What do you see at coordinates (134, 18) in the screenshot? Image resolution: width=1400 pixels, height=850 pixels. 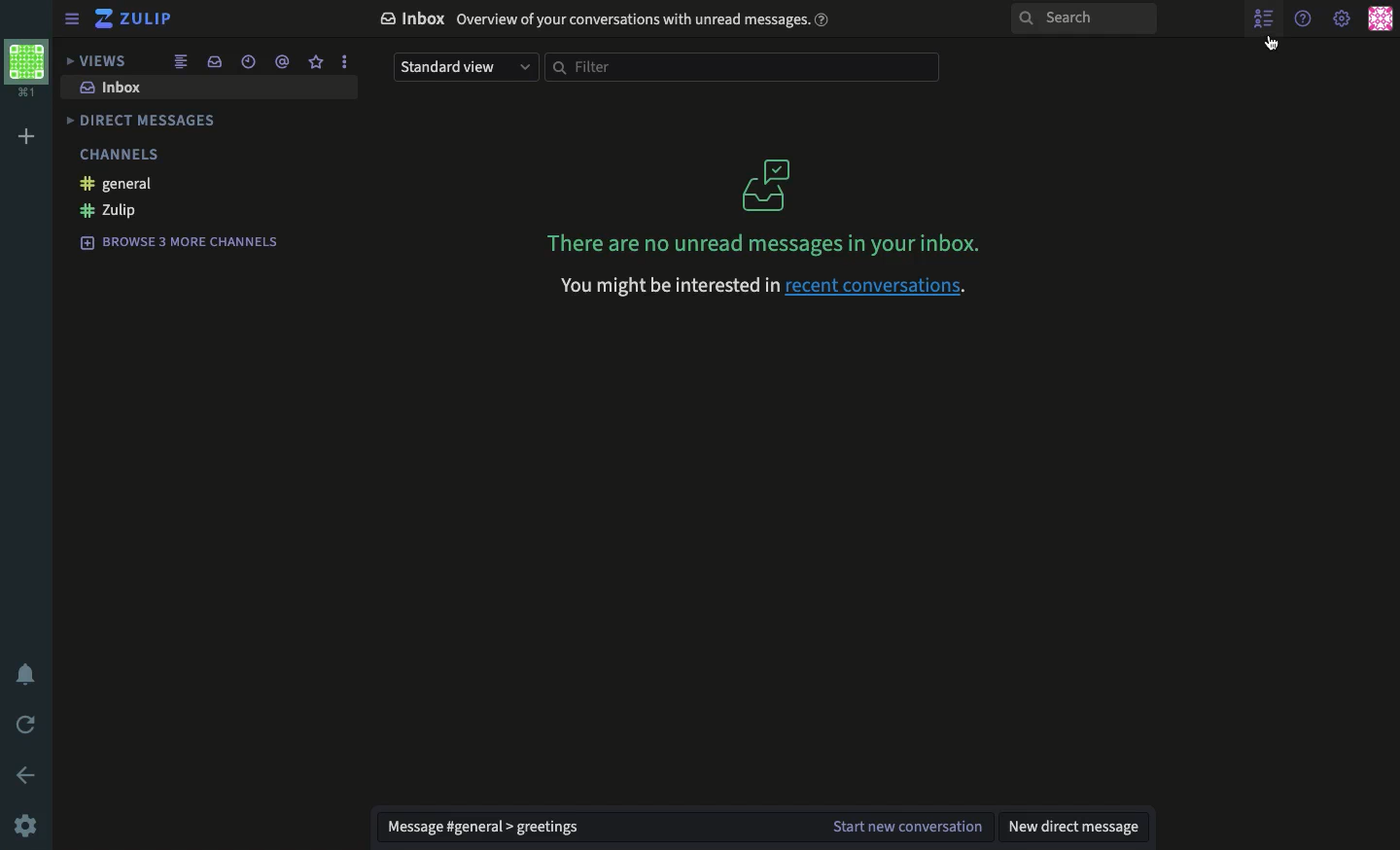 I see `zulip` at bounding box center [134, 18].